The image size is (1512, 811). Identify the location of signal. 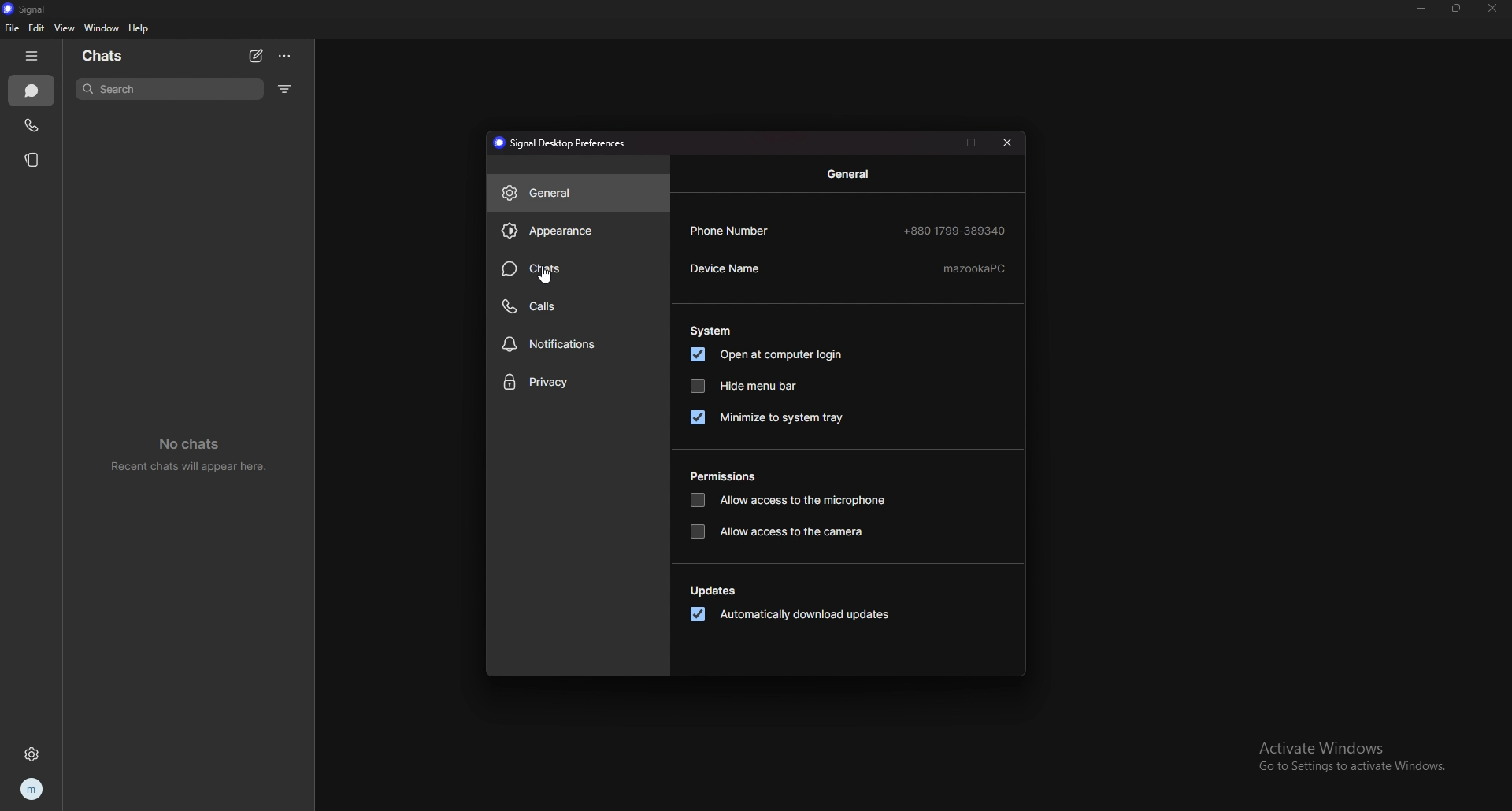
(35, 9).